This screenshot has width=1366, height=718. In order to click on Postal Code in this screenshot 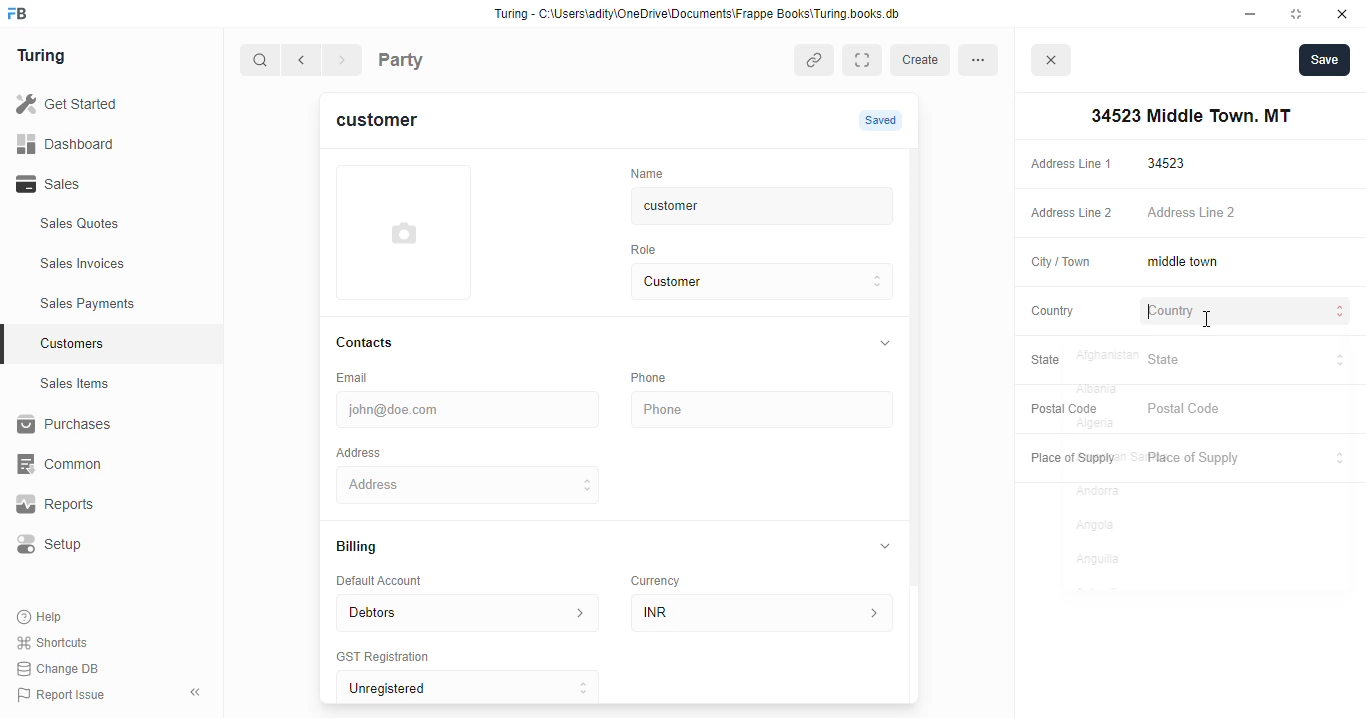, I will do `click(1061, 408)`.